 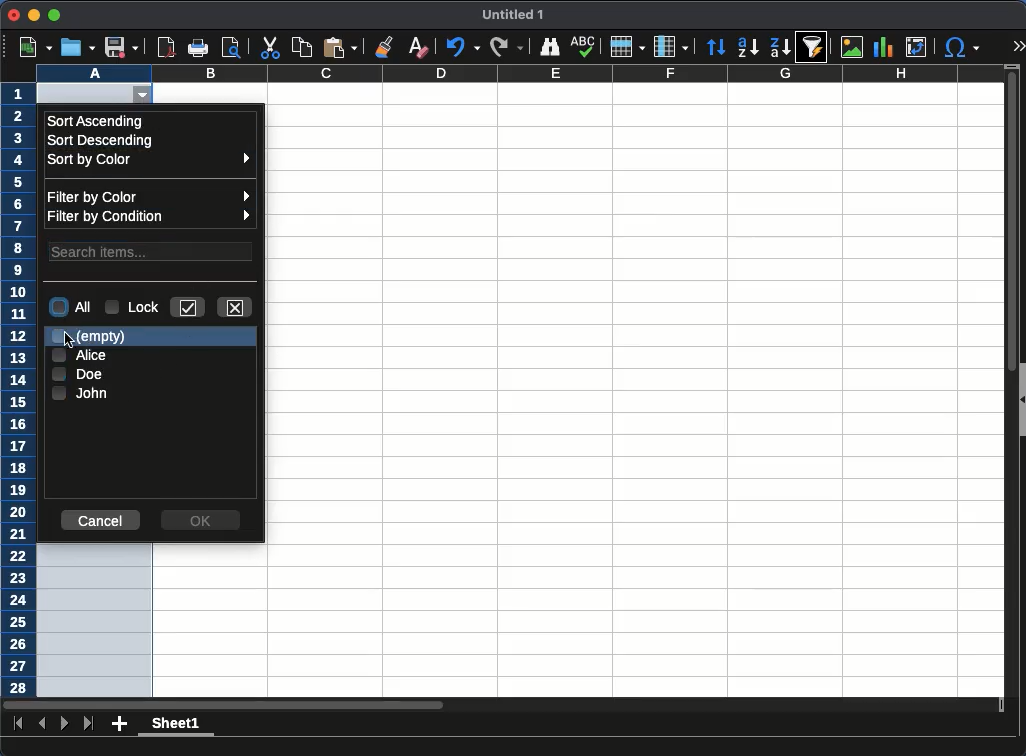 What do you see at coordinates (781, 48) in the screenshot?
I see `descending` at bounding box center [781, 48].